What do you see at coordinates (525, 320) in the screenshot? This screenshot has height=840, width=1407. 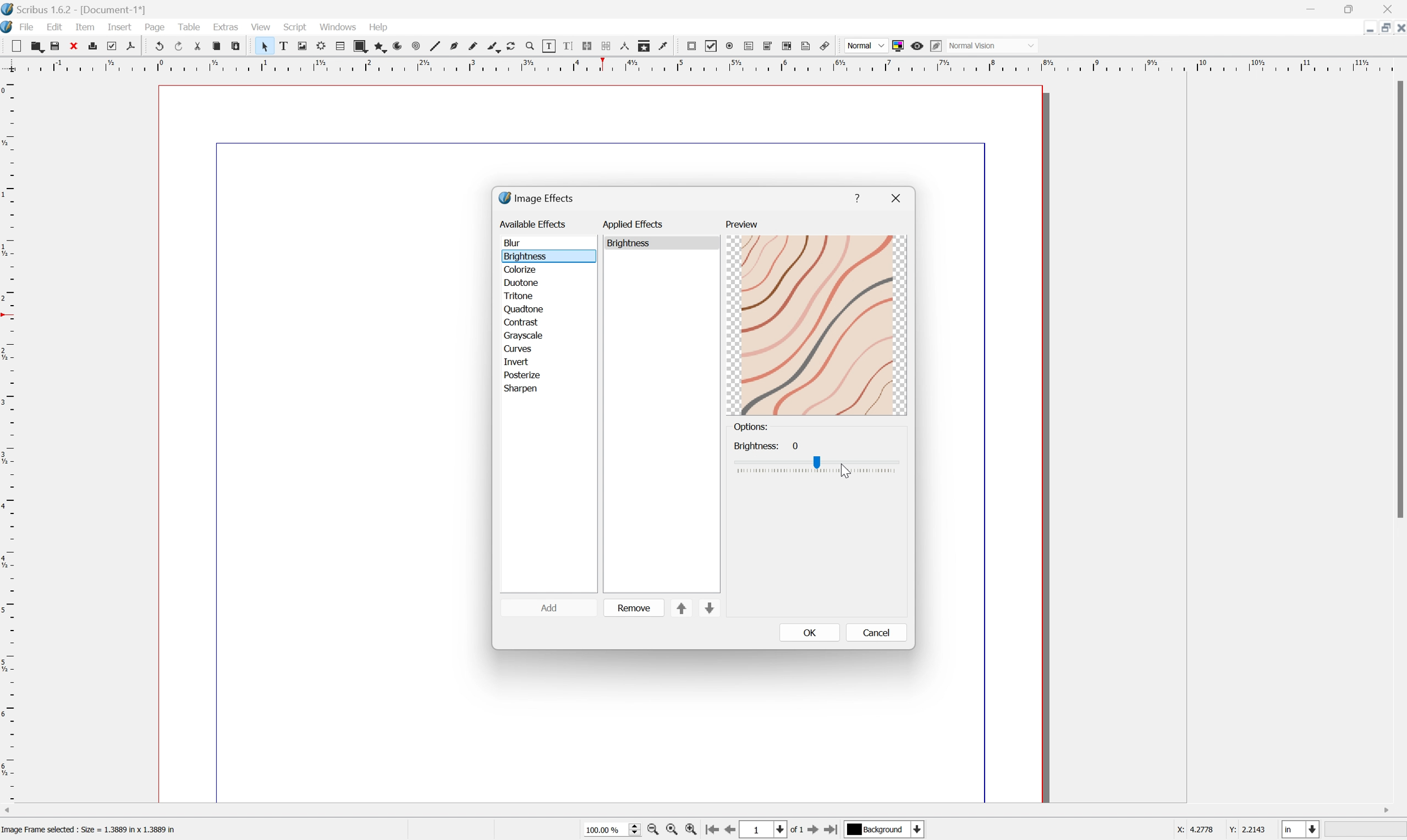 I see `contrast` at bounding box center [525, 320].